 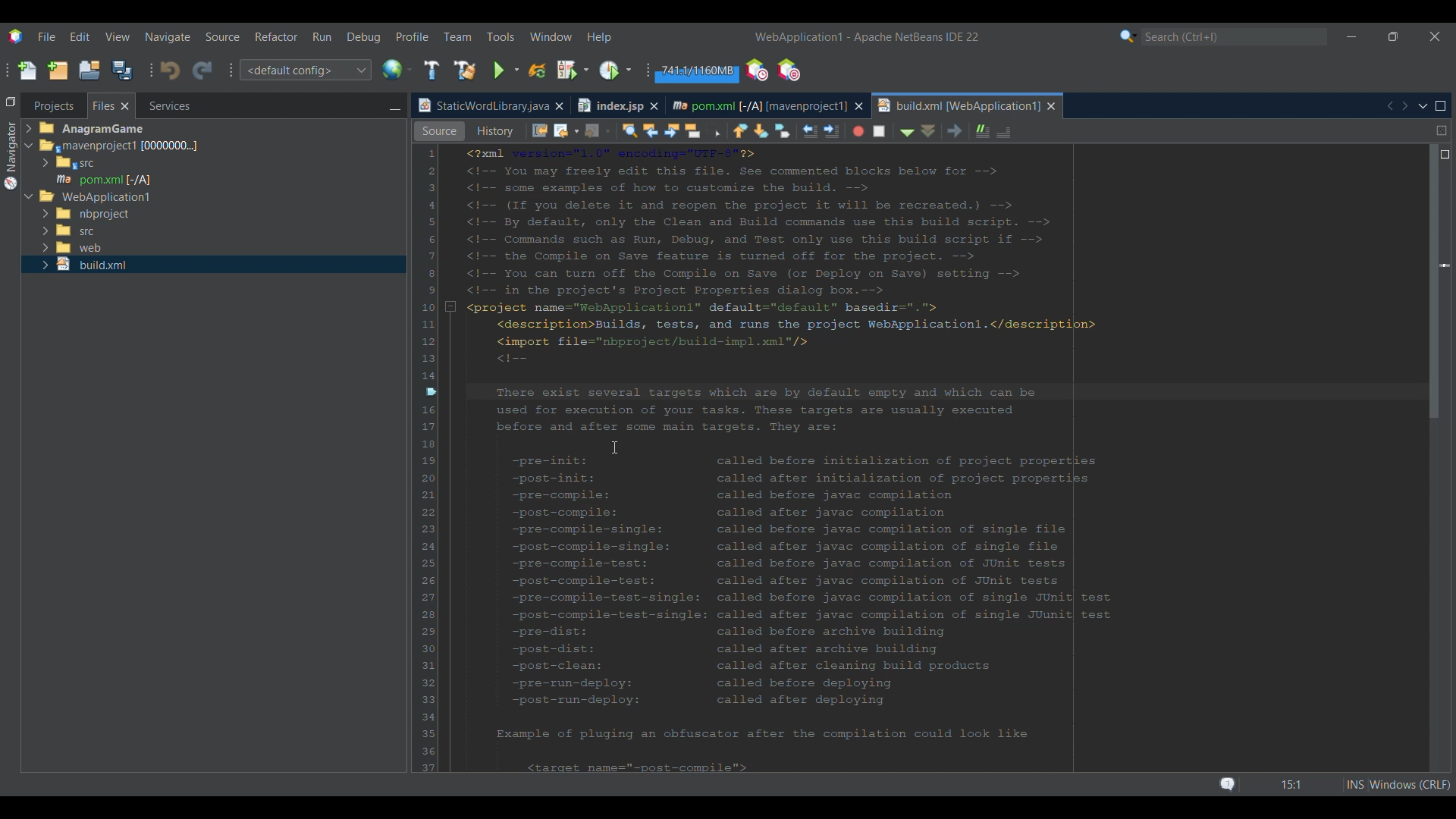 What do you see at coordinates (413, 36) in the screenshot?
I see `Profile menu` at bounding box center [413, 36].